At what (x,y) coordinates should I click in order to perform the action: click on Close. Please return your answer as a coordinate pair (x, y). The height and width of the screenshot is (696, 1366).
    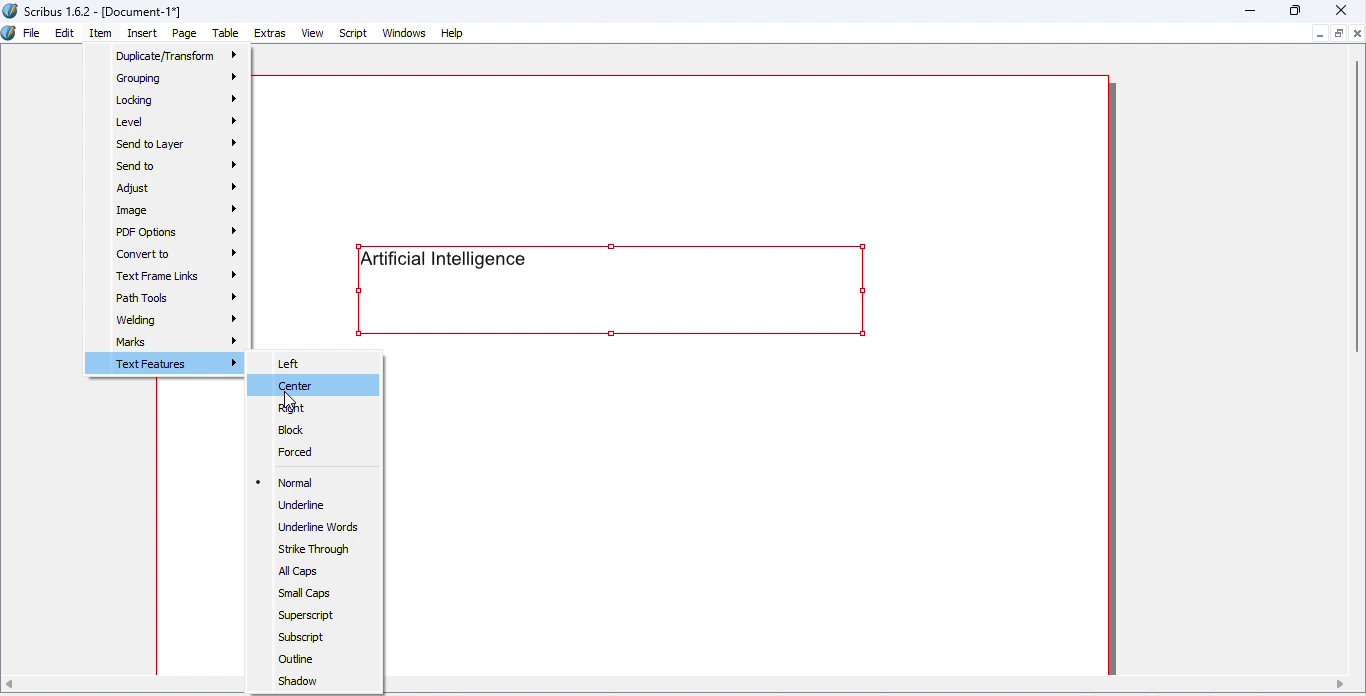
    Looking at the image, I should click on (1336, 10).